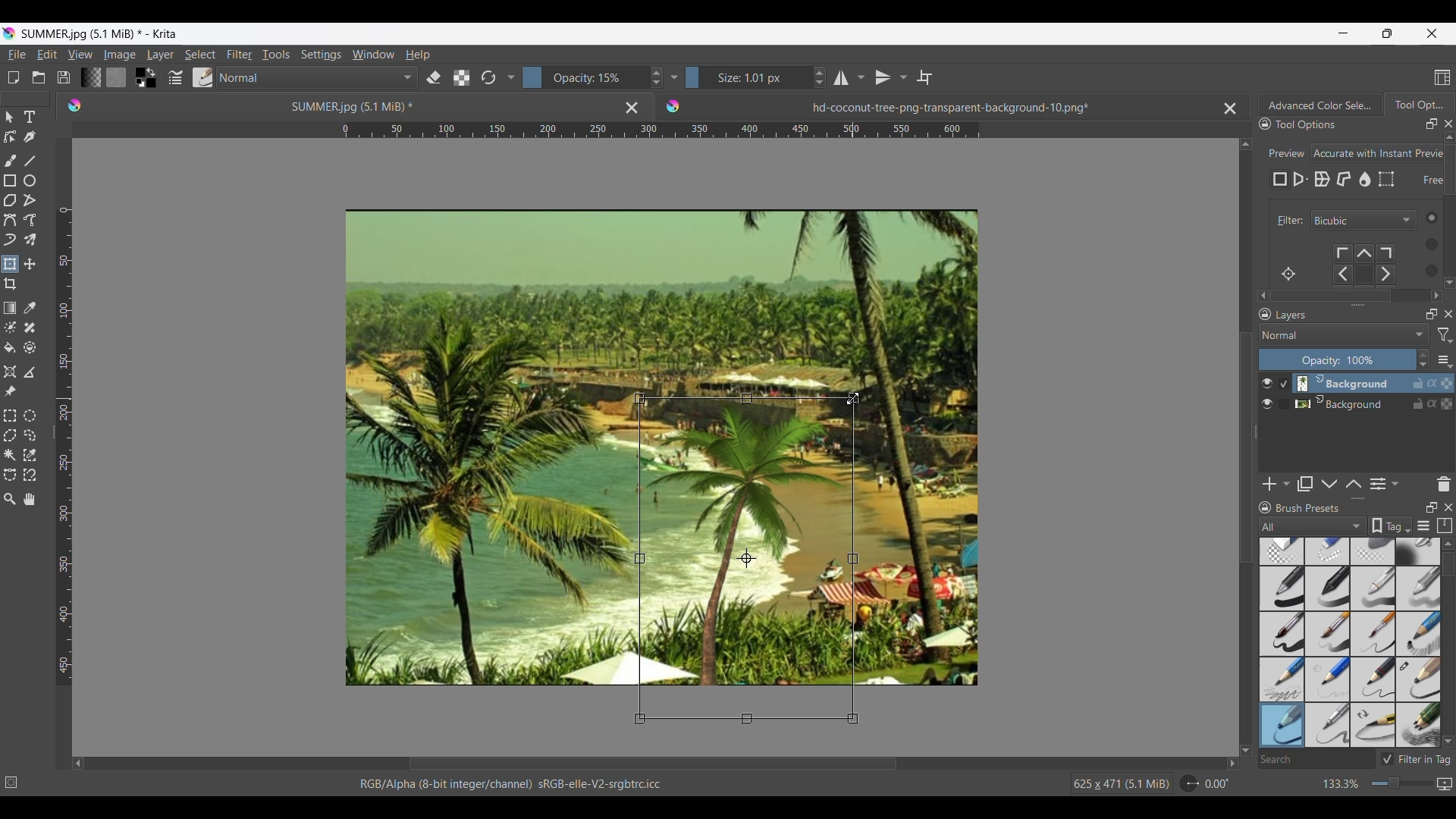 This screenshot has width=1456, height=819. Describe the element at coordinates (1432, 124) in the screenshot. I see `Float docker` at that location.